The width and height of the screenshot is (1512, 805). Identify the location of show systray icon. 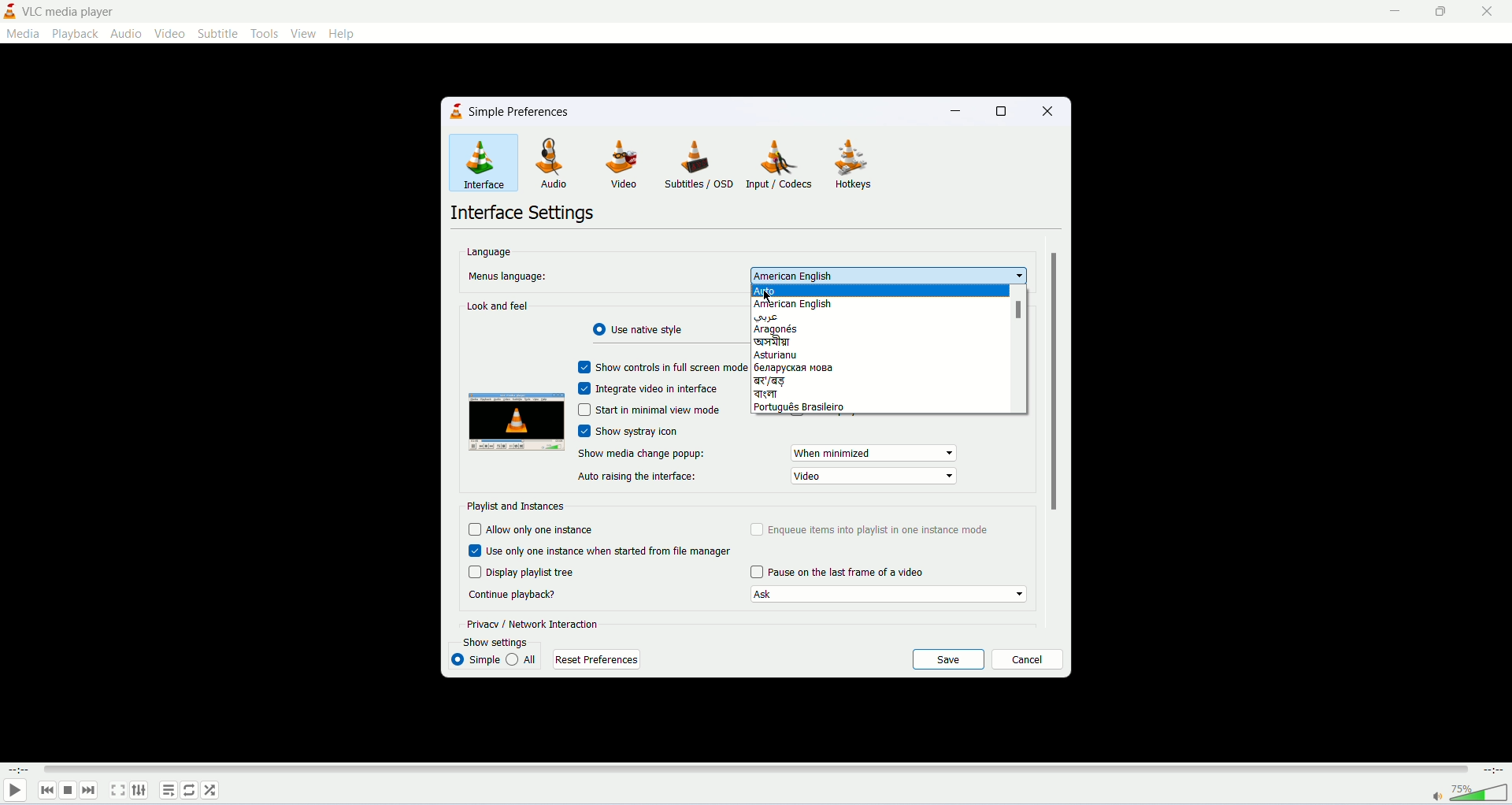
(635, 431).